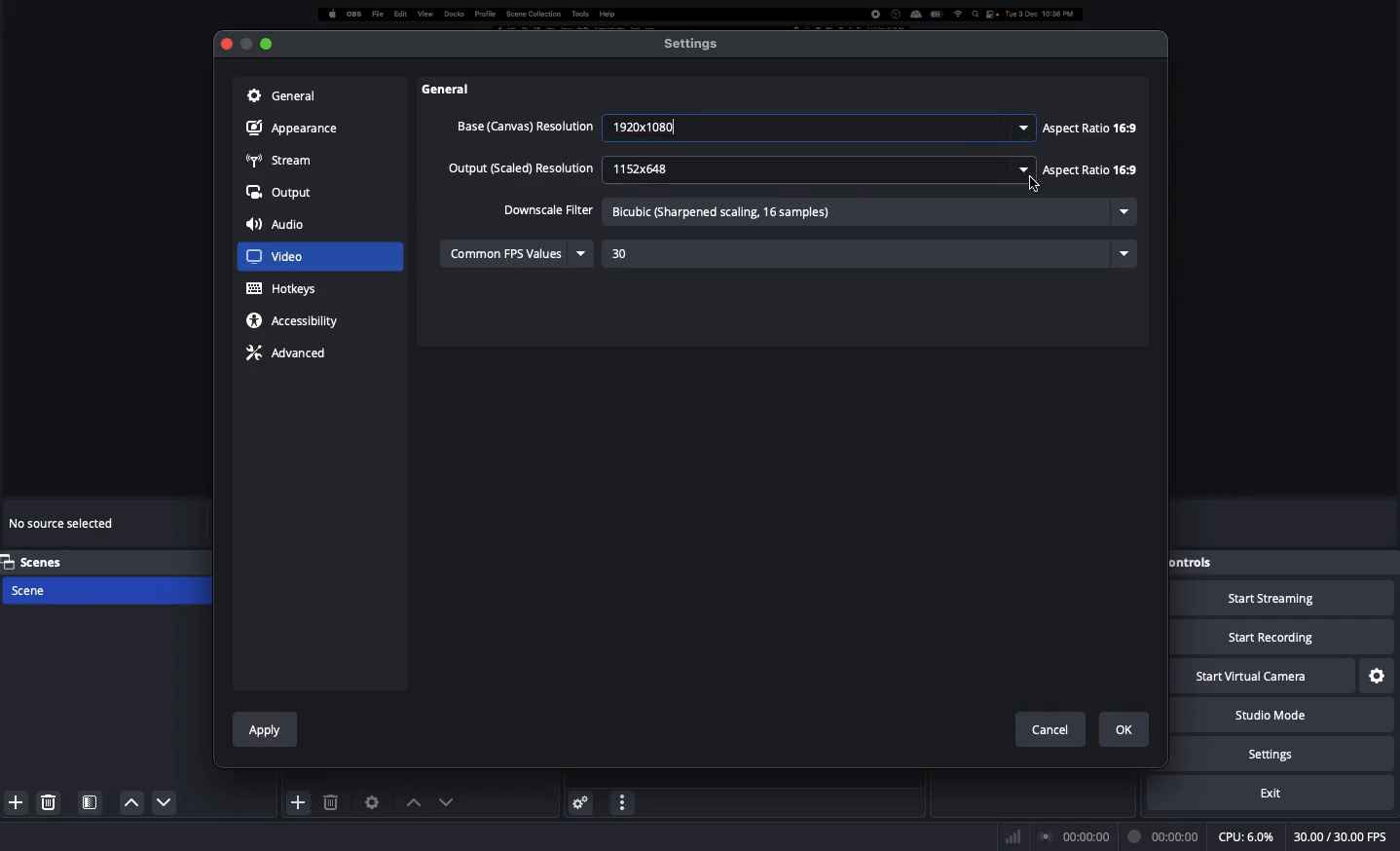  I want to click on Audio, so click(279, 226).